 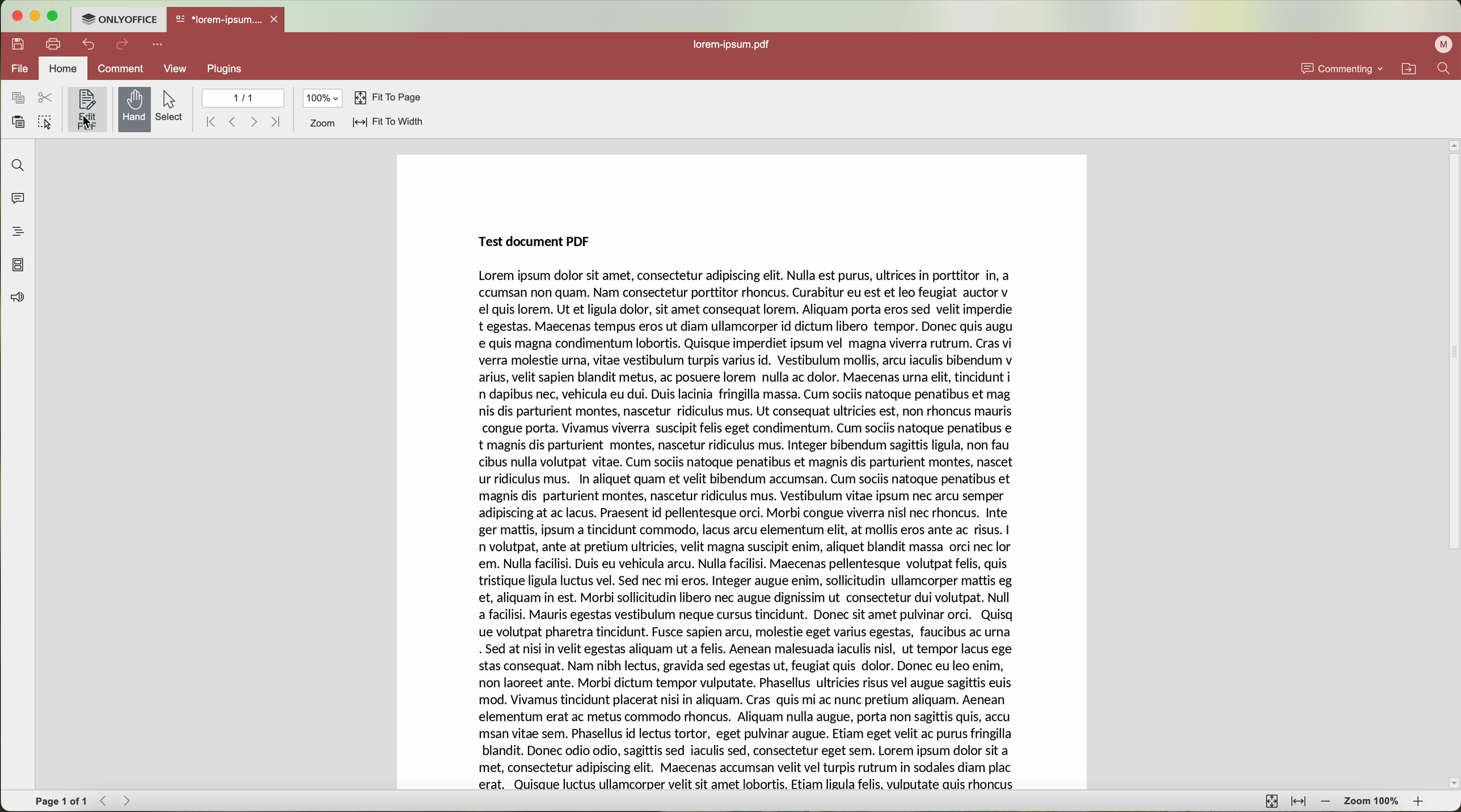 What do you see at coordinates (89, 124) in the screenshot?
I see `cursor` at bounding box center [89, 124].